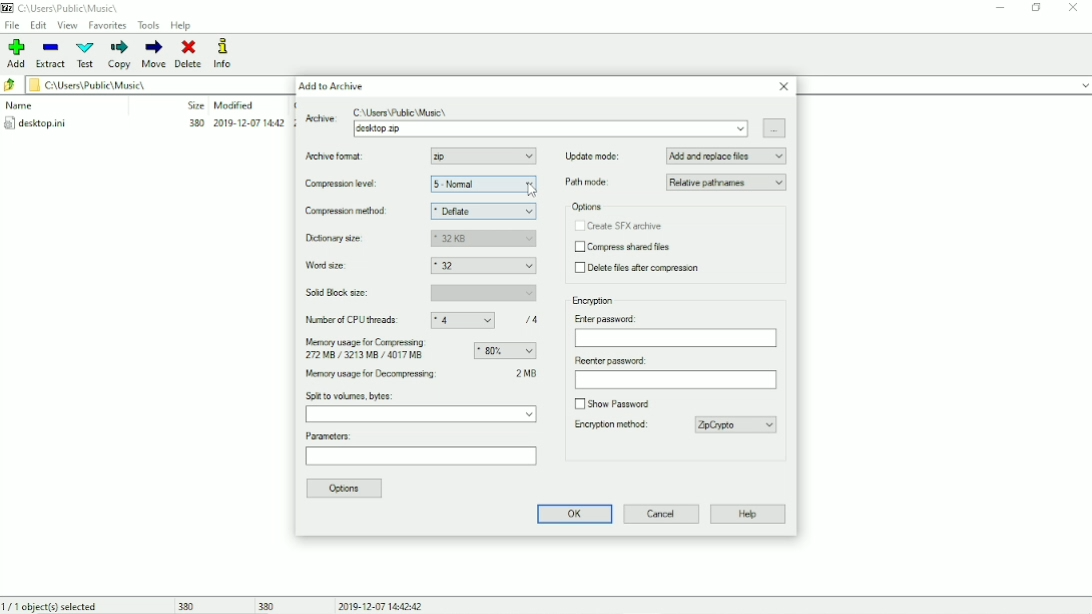 The width and height of the screenshot is (1092, 614). What do you see at coordinates (738, 425) in the screenshot?
I see `ZipCrypto` at bounding box center [738, 425].